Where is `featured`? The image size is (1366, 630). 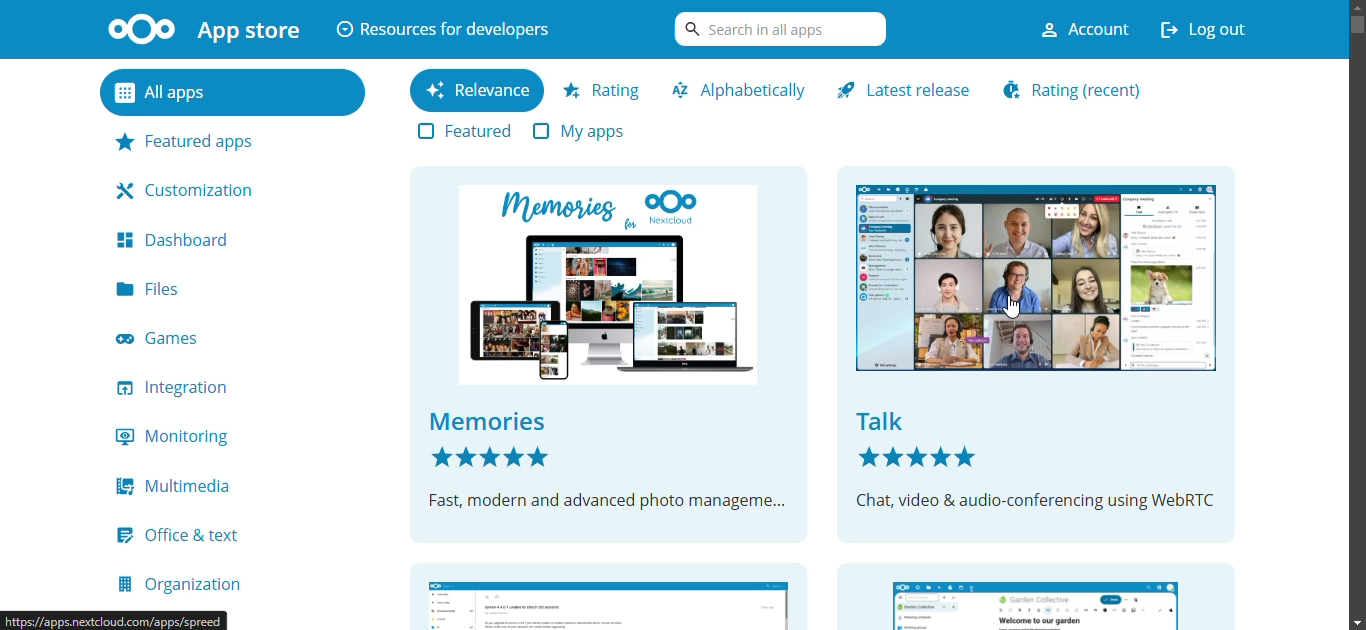
featured is located at coordinates (449, 131).